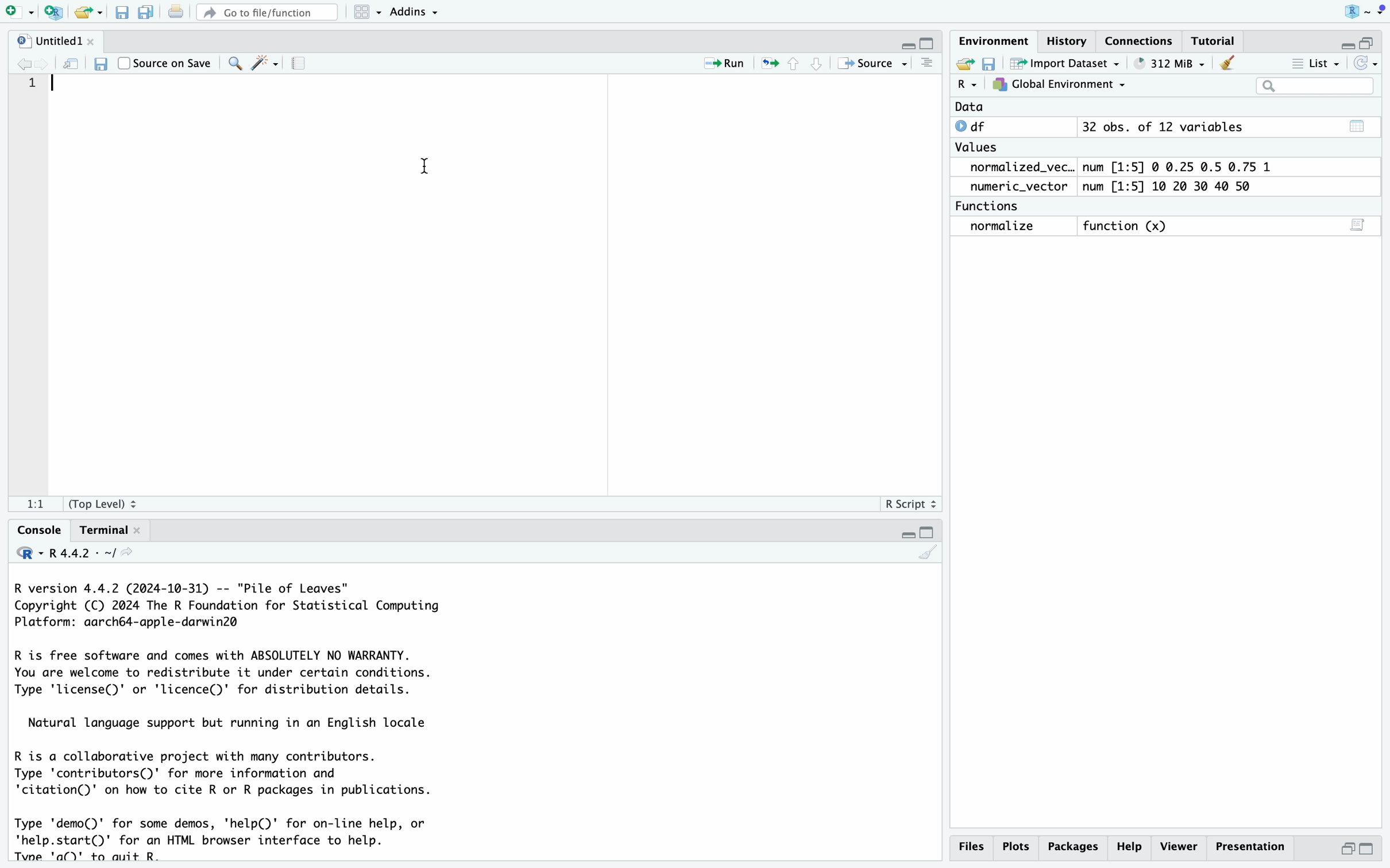  What do you see at coordinates (165, 61) in the screenshot?
I see `Source on Save` at bounding box center [165, 61].